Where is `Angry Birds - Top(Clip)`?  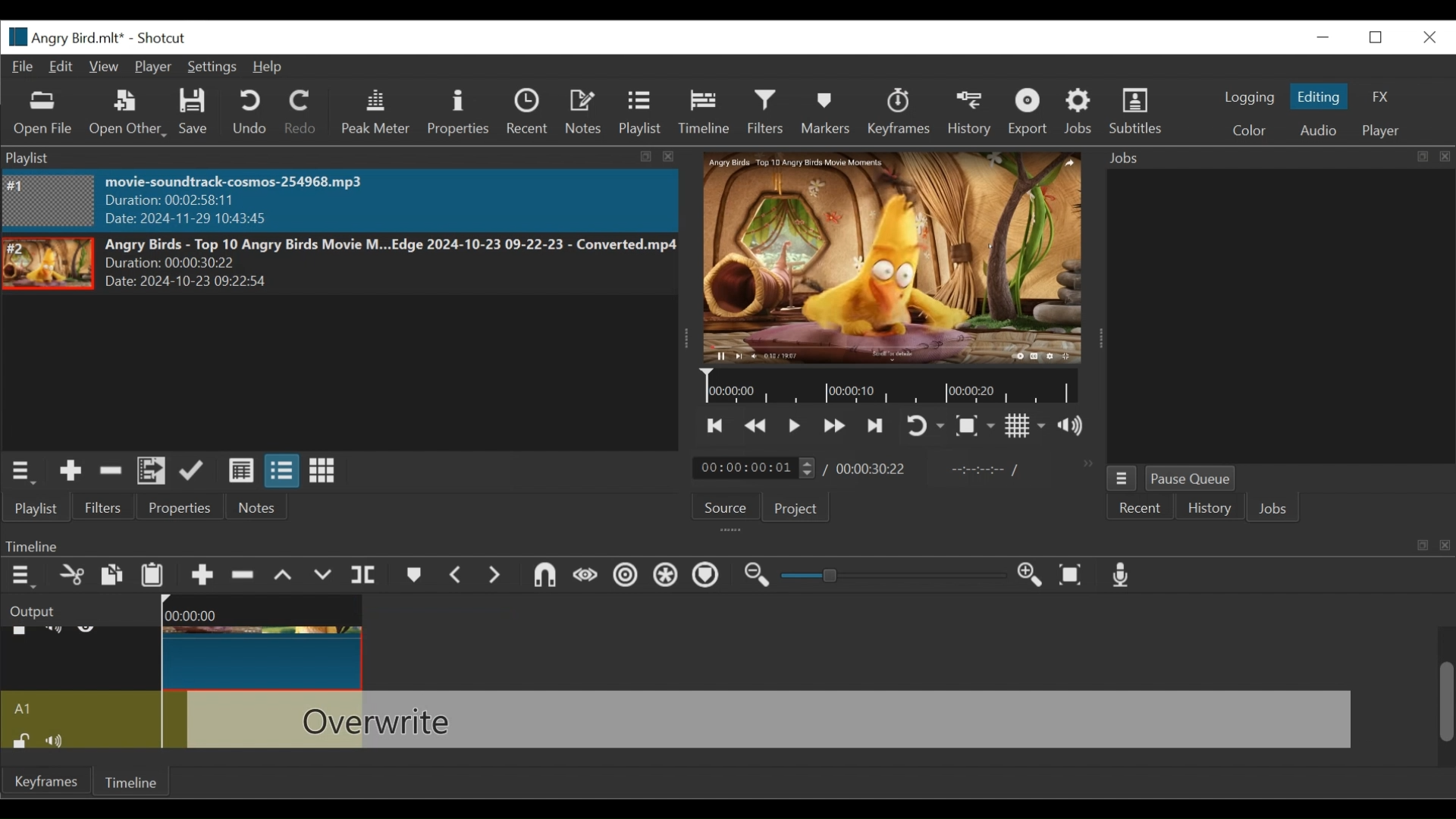
Angry Birds - Top(Clip) is located at coordinates (265, 656).